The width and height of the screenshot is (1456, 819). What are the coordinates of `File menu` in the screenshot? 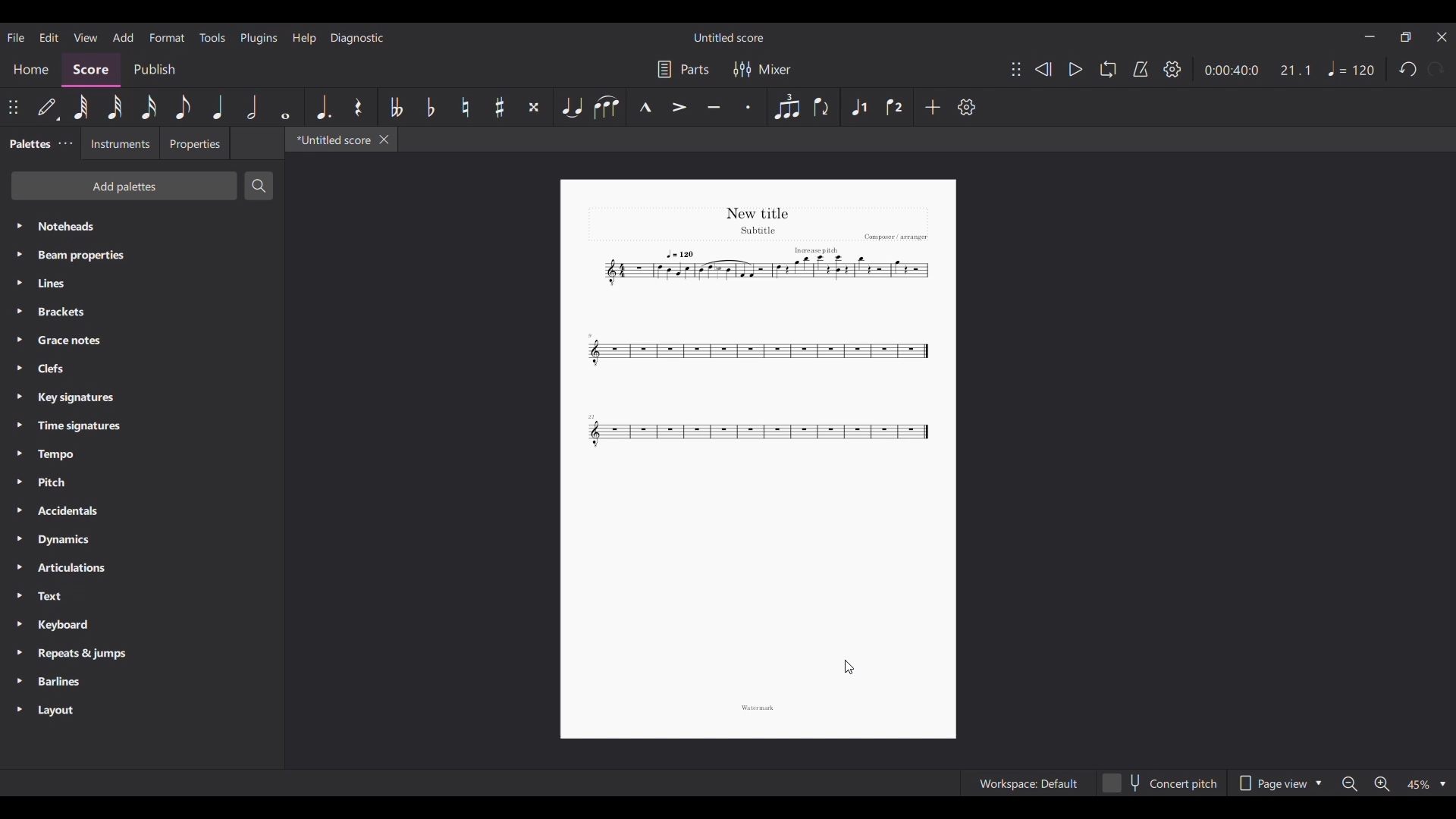 It's located at (16, 37).